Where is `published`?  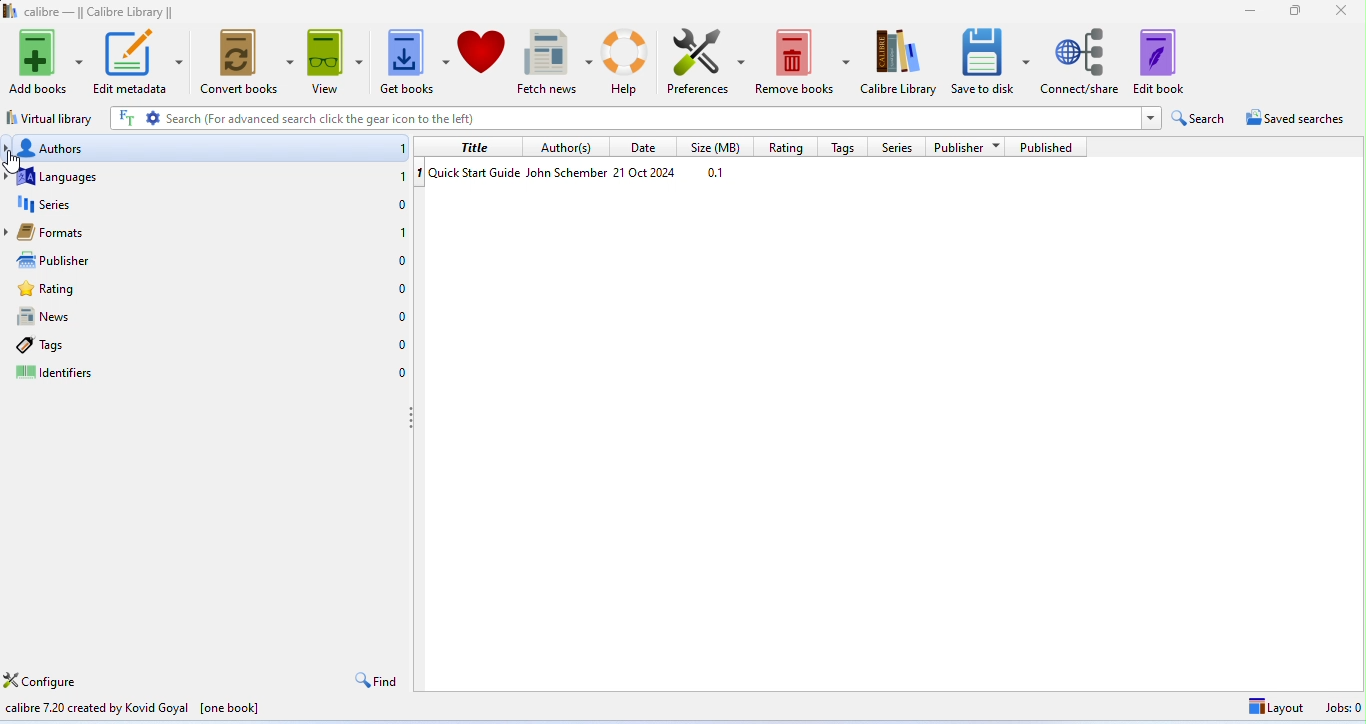 published is located at coordinates (1047, 148).